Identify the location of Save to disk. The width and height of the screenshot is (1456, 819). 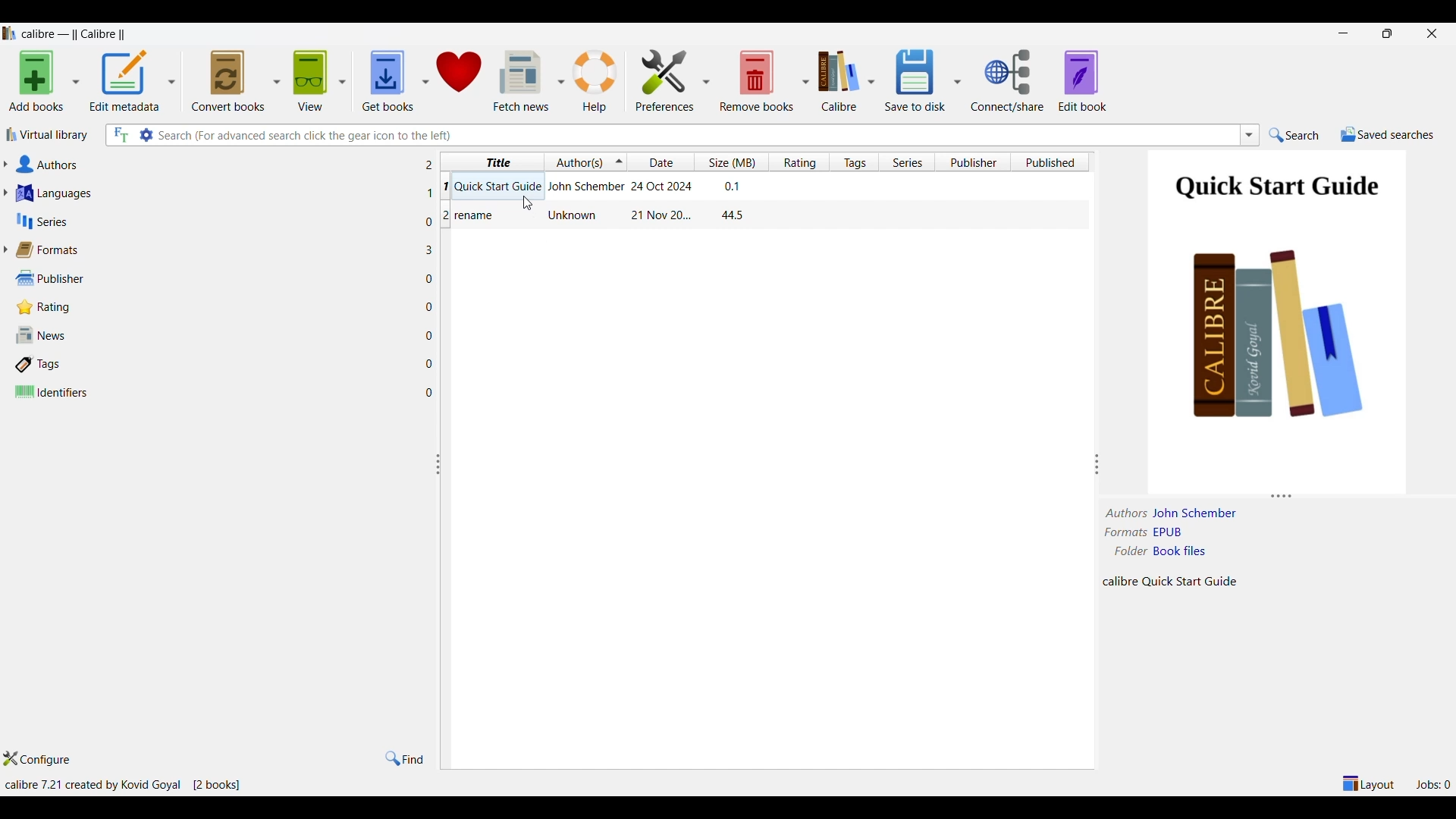
(916, 81).